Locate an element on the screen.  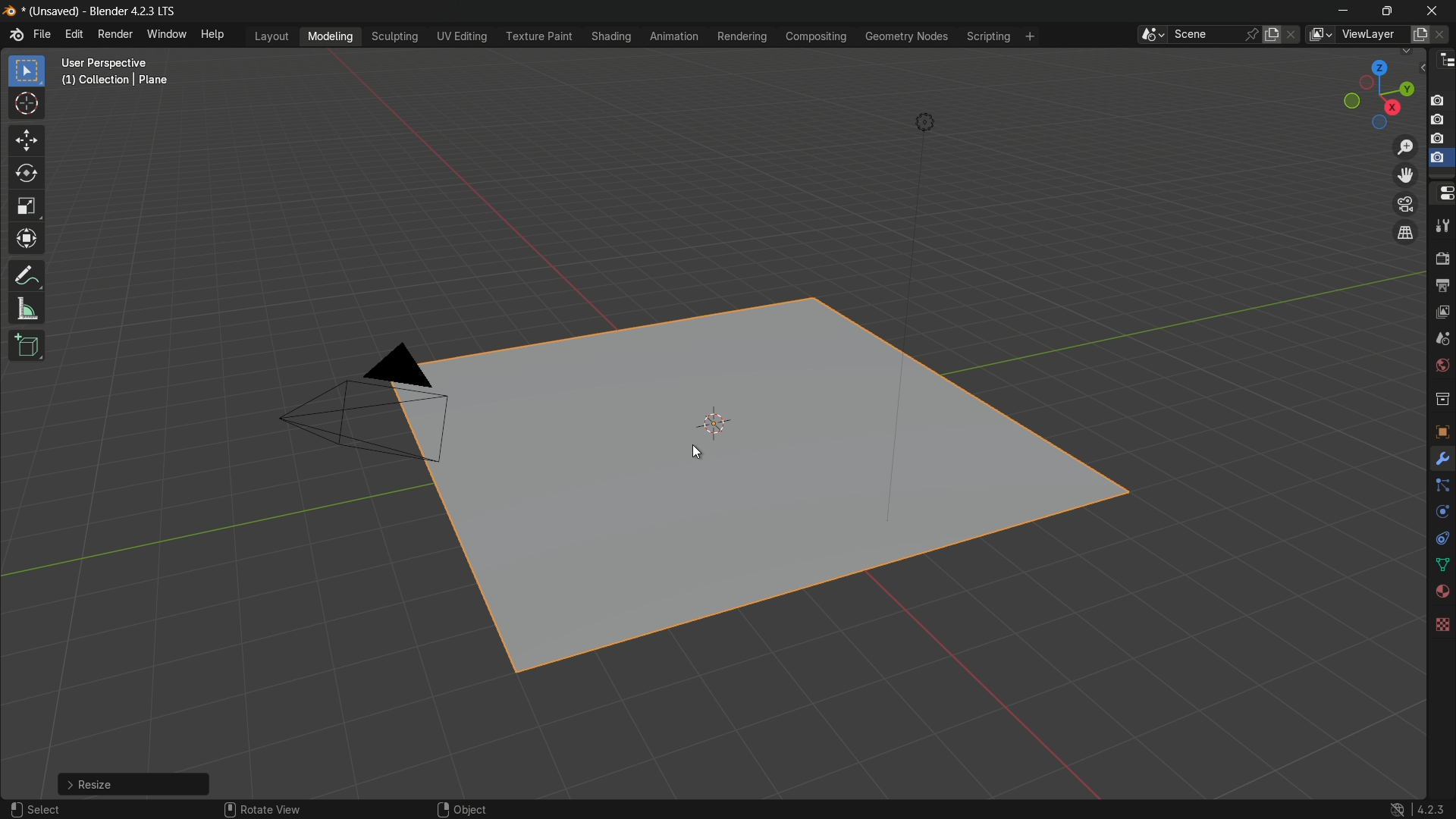
transform is located at coordinates (29, 242).